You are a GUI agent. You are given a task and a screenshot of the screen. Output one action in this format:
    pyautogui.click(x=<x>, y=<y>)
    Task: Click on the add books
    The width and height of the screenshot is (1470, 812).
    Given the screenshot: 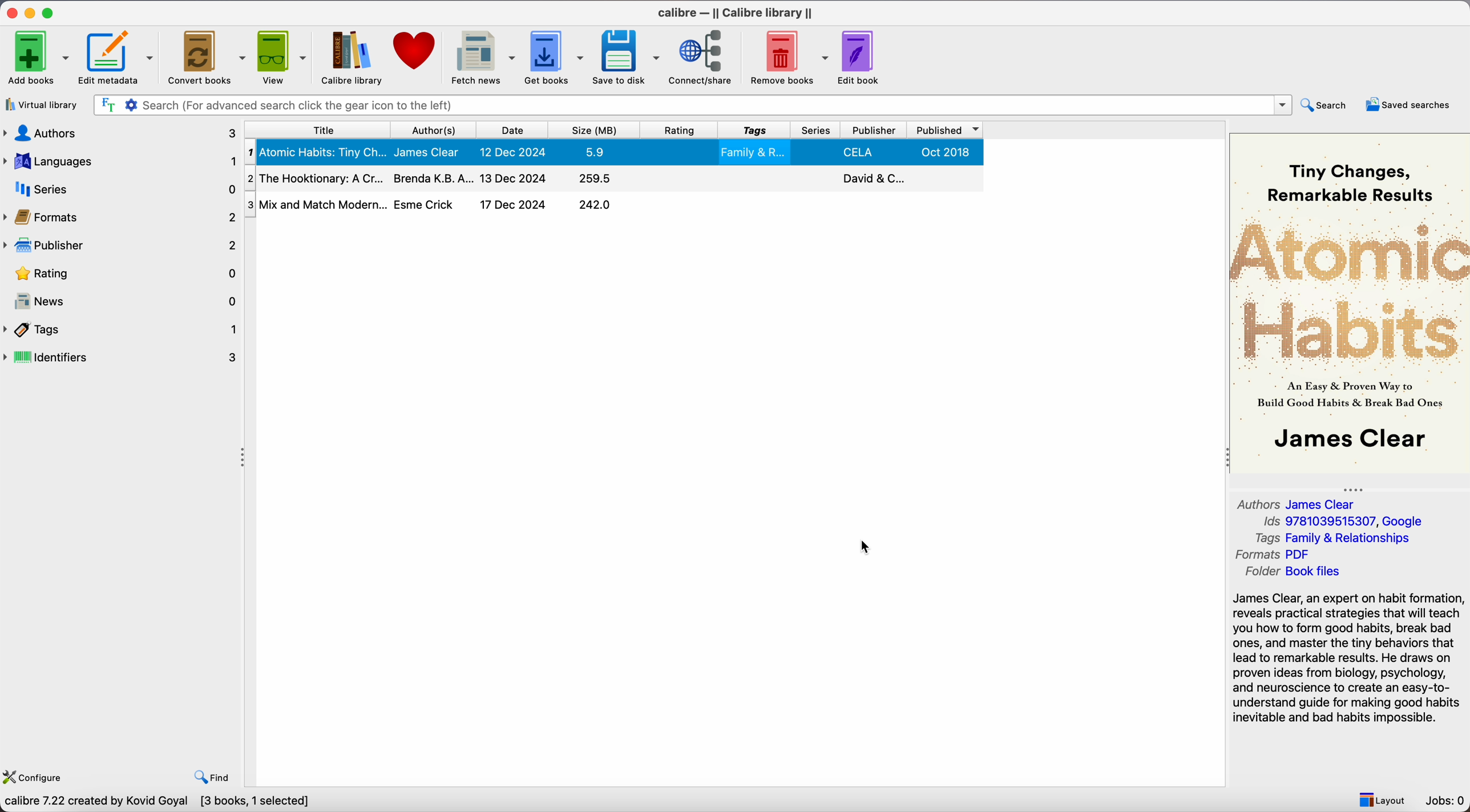 What is the action you would take?
    pyautogui.click(x=37, y=58)
    